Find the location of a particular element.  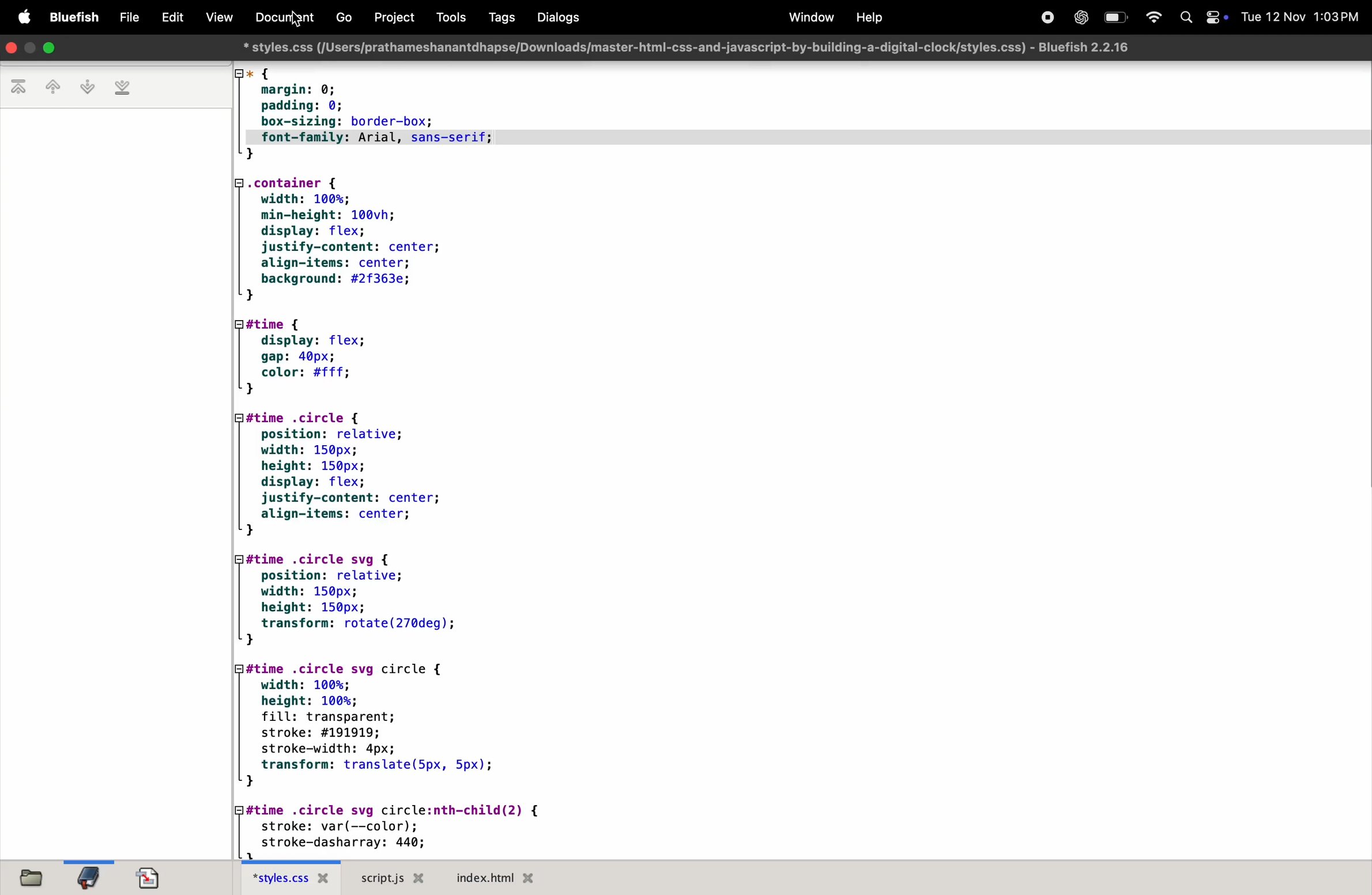

Spotlight is located at coordinates (1185, 19).